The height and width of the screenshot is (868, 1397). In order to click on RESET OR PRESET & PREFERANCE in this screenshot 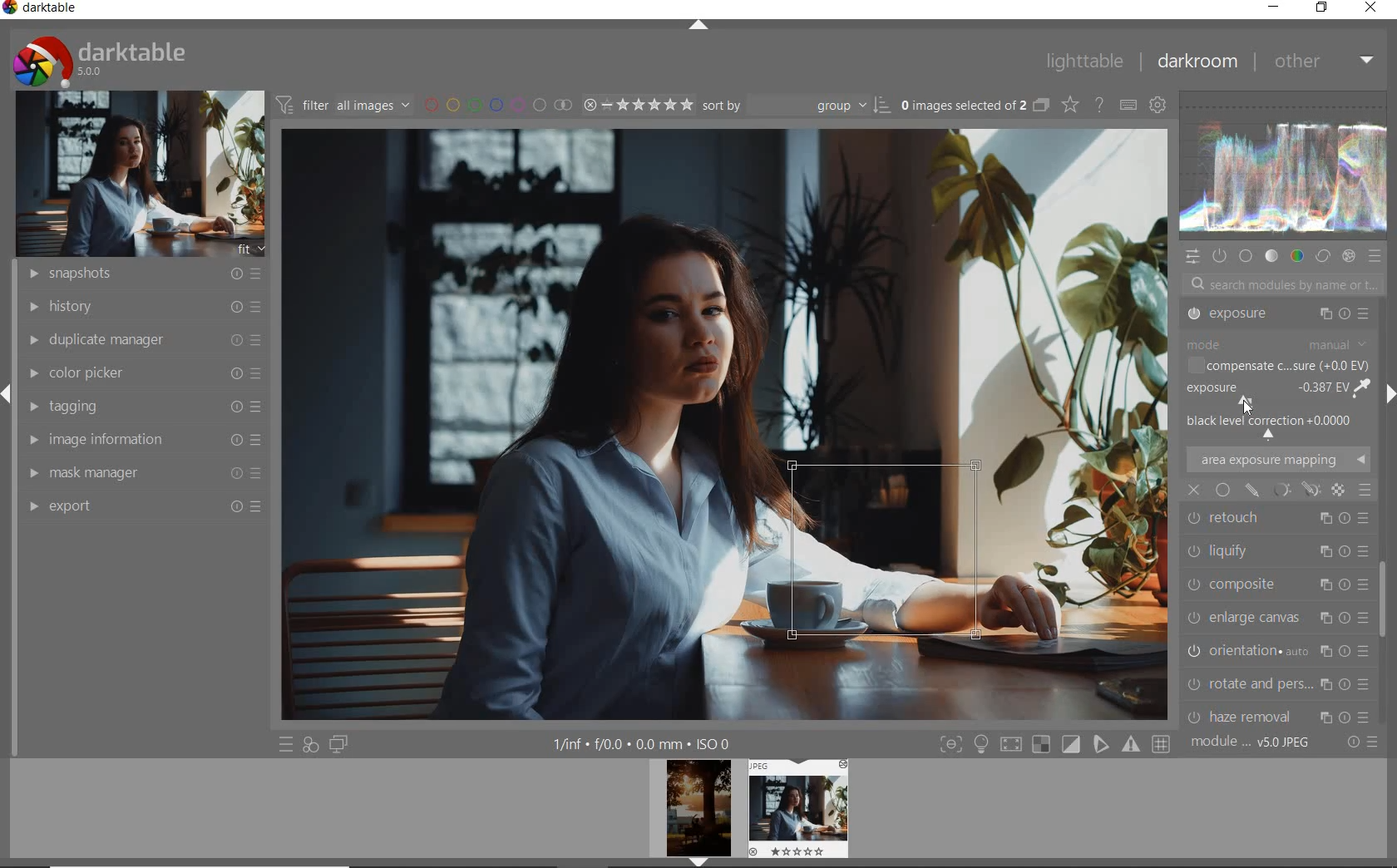, I will do `click(1360, 745)`.